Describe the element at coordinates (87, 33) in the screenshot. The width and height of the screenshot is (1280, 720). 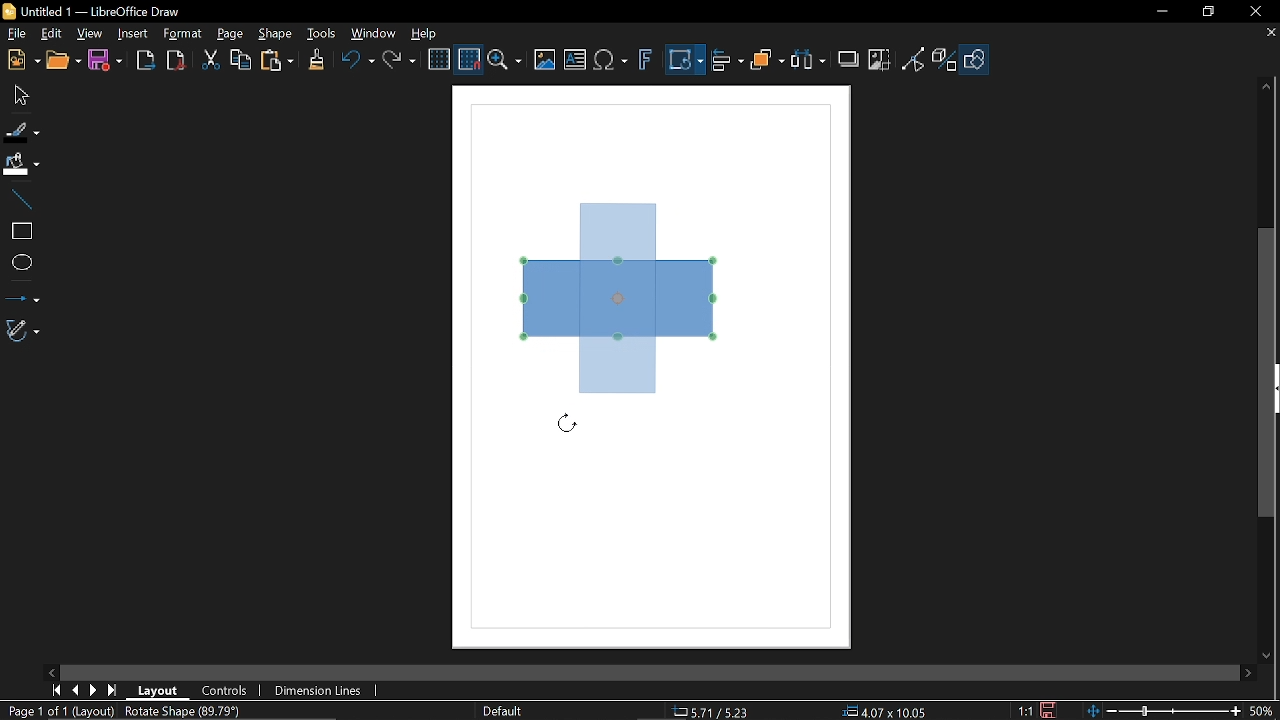
I see `View` at that location.